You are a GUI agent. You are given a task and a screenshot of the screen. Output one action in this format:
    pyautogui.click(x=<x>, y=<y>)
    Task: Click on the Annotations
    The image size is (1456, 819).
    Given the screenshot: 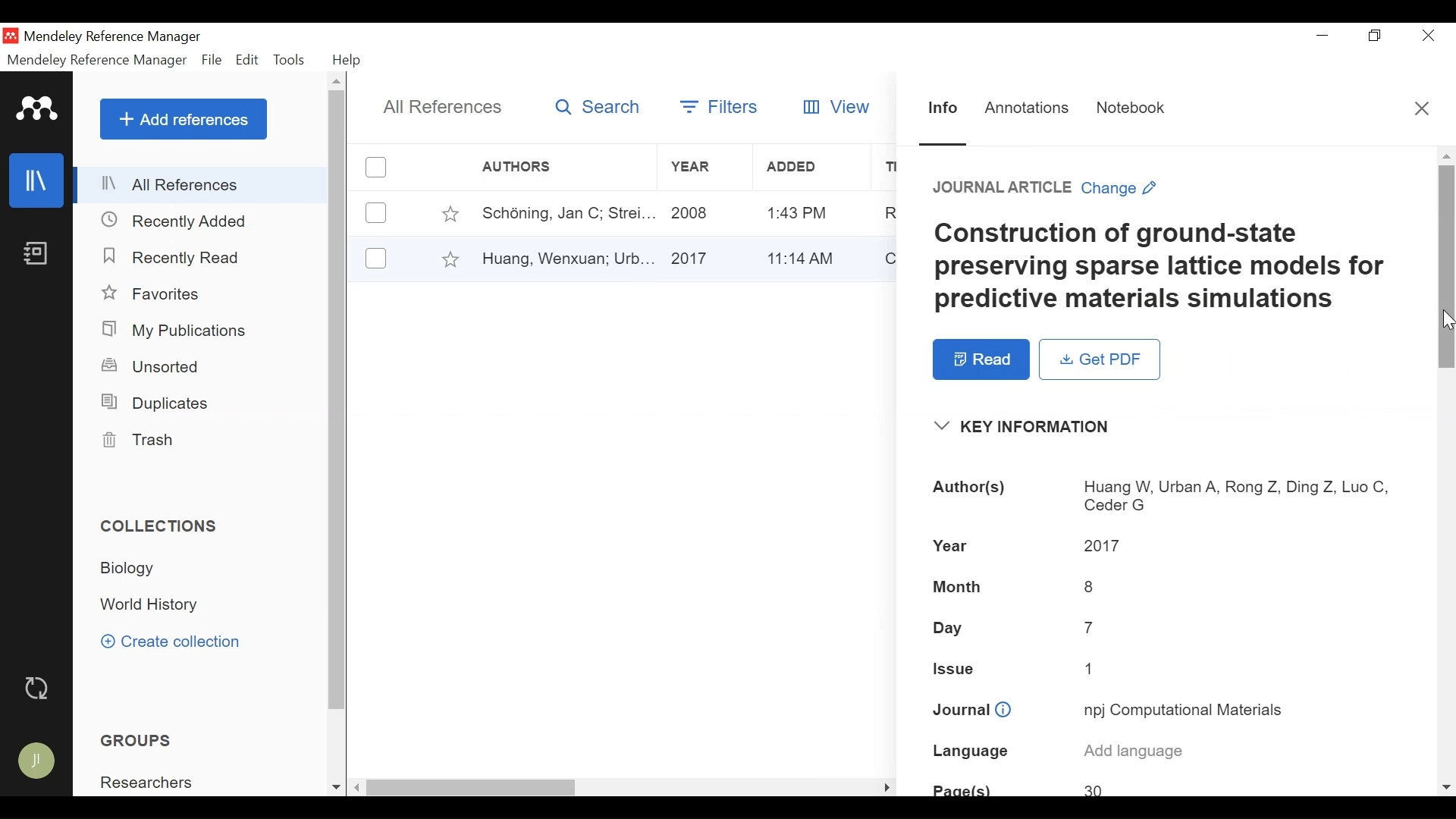 What is the action you would take?
    pyautogui.click(x=1028, y=110)
    